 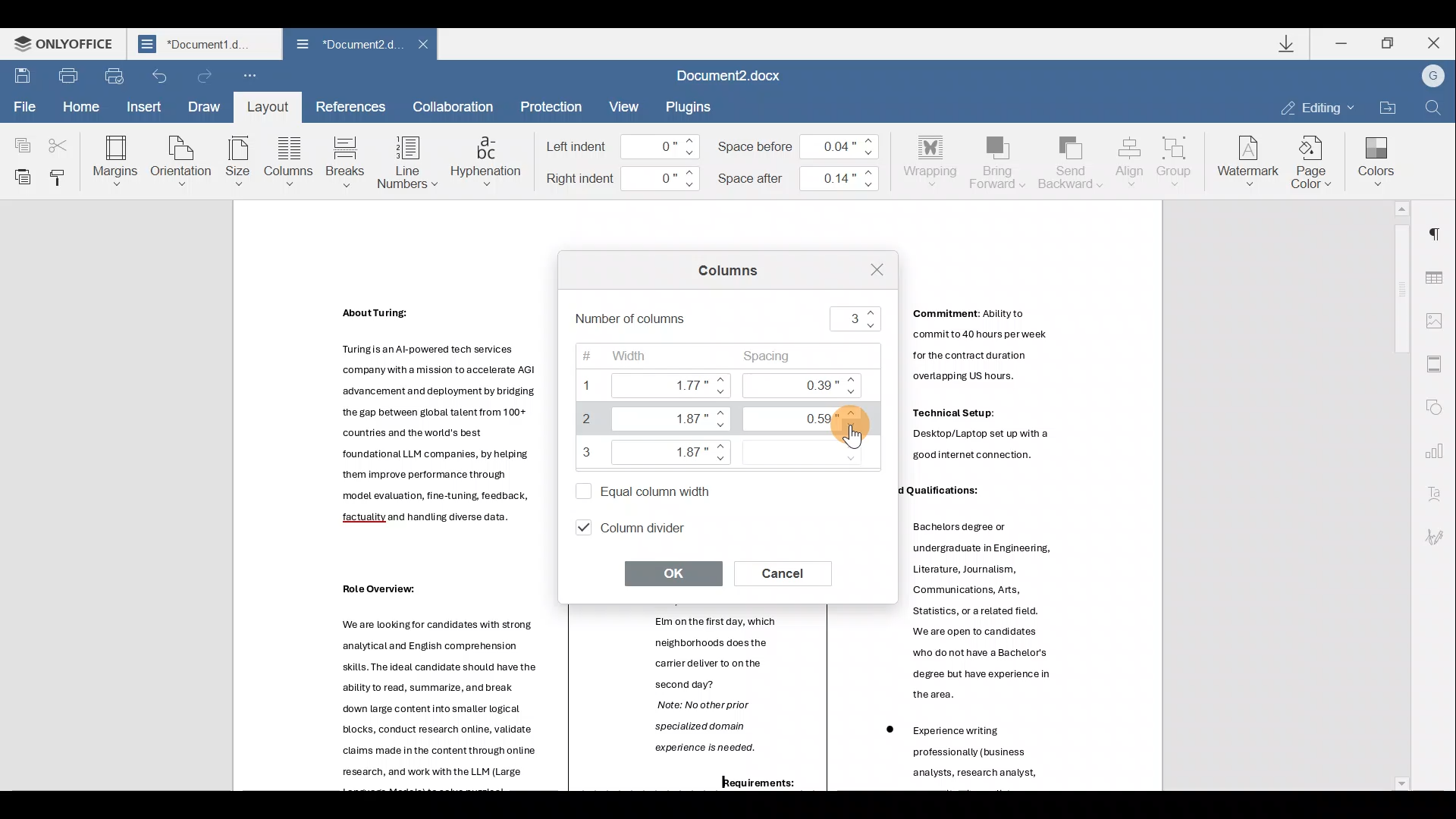 I want to click on Customize quick access toolbar, so click(x=250, y=77).